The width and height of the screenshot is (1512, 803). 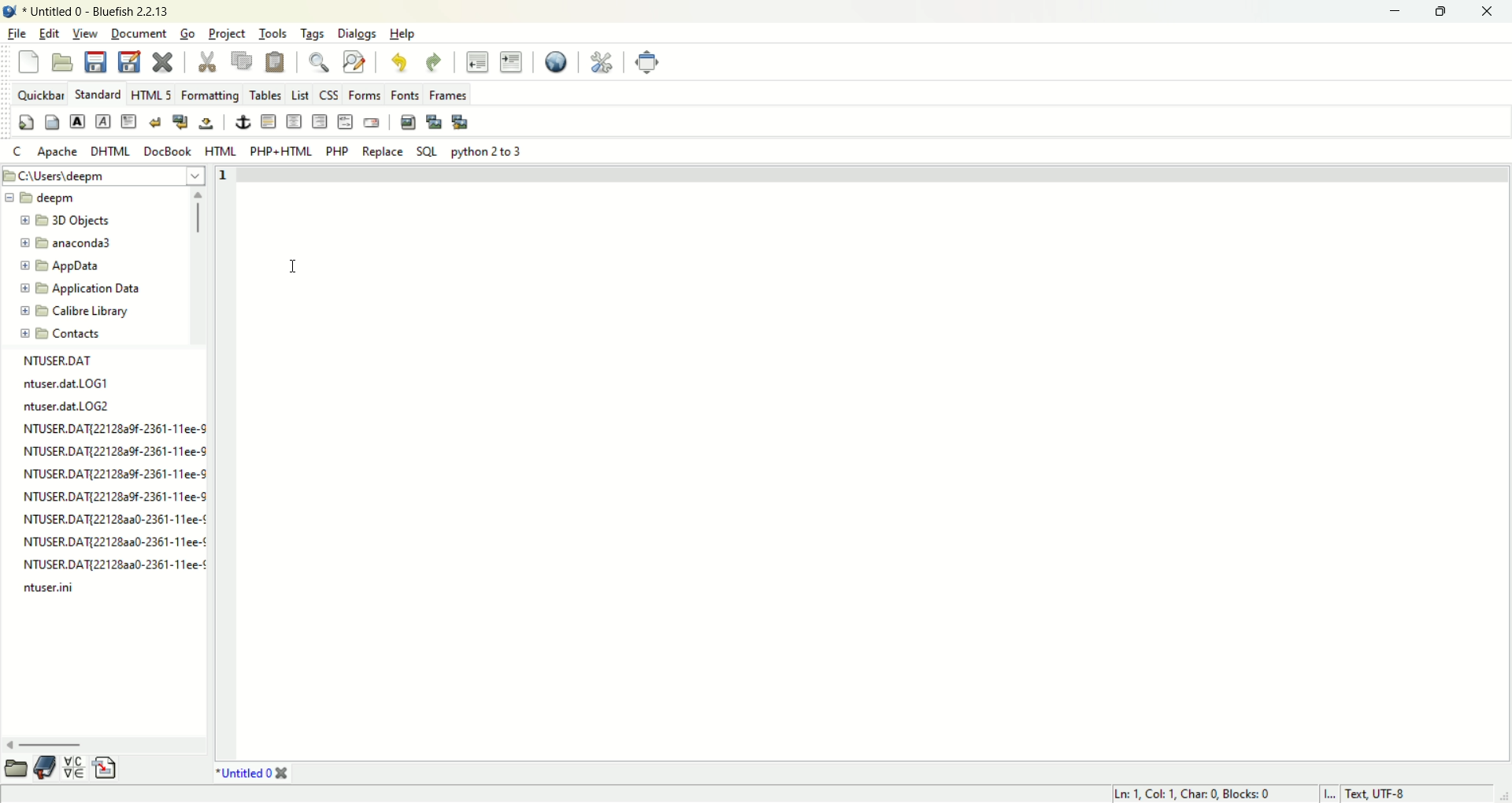 I want to click on close, so click(x=161, y=61).